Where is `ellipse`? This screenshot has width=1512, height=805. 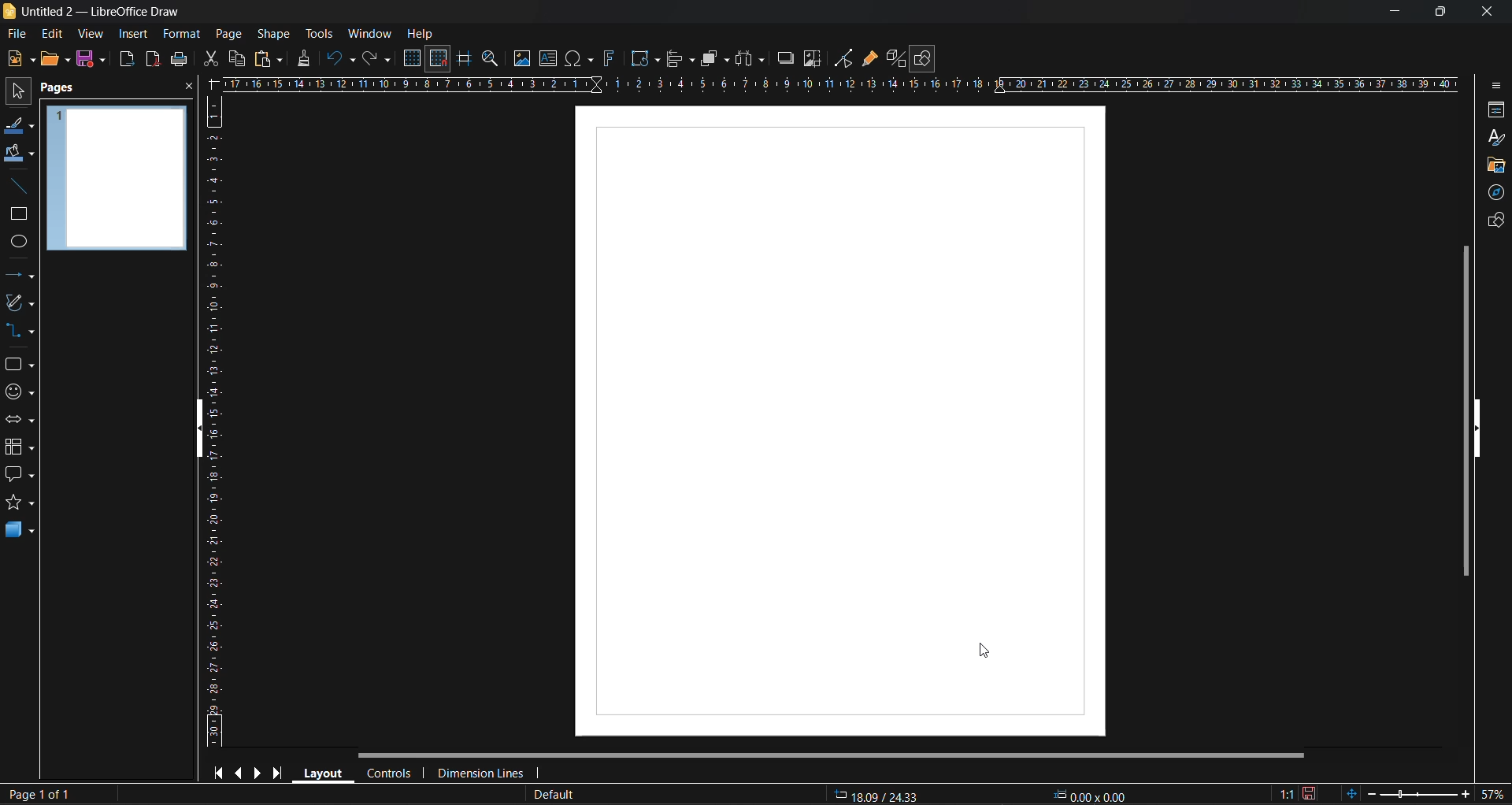
ellipse is located at coordinates (19, 244).